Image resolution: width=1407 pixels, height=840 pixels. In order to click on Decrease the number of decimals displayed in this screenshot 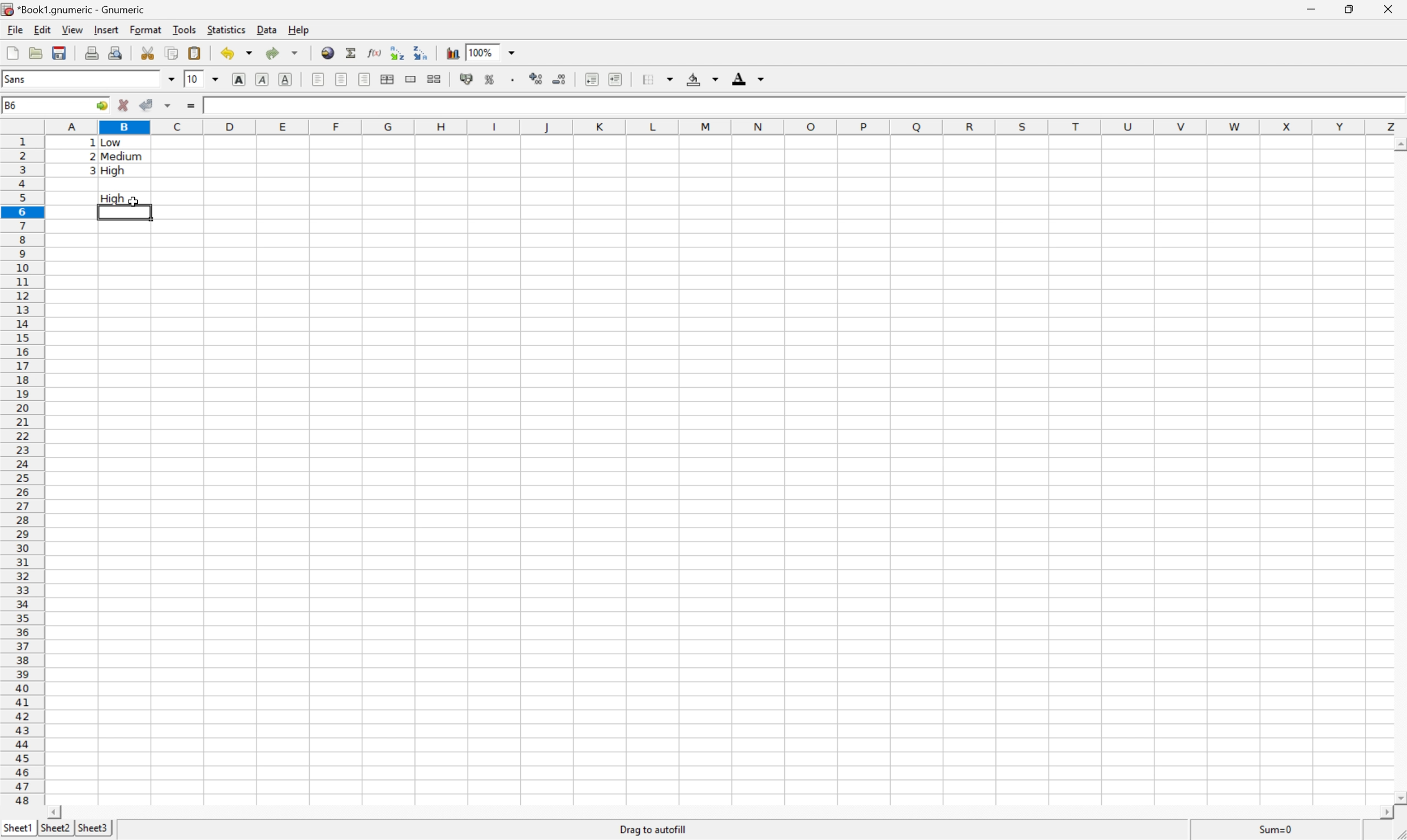, I will do `click(559, 79)`.